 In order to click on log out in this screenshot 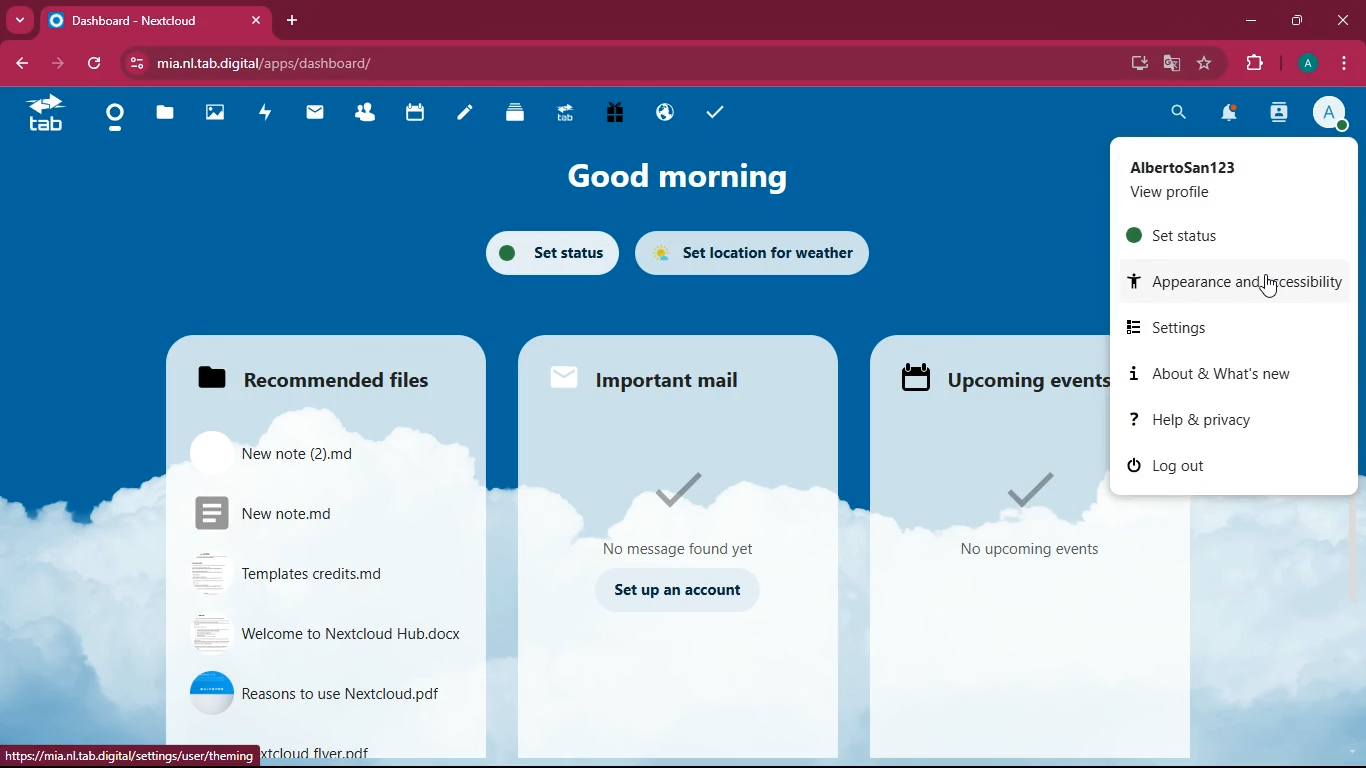, I will do `click(1194, 464)`.